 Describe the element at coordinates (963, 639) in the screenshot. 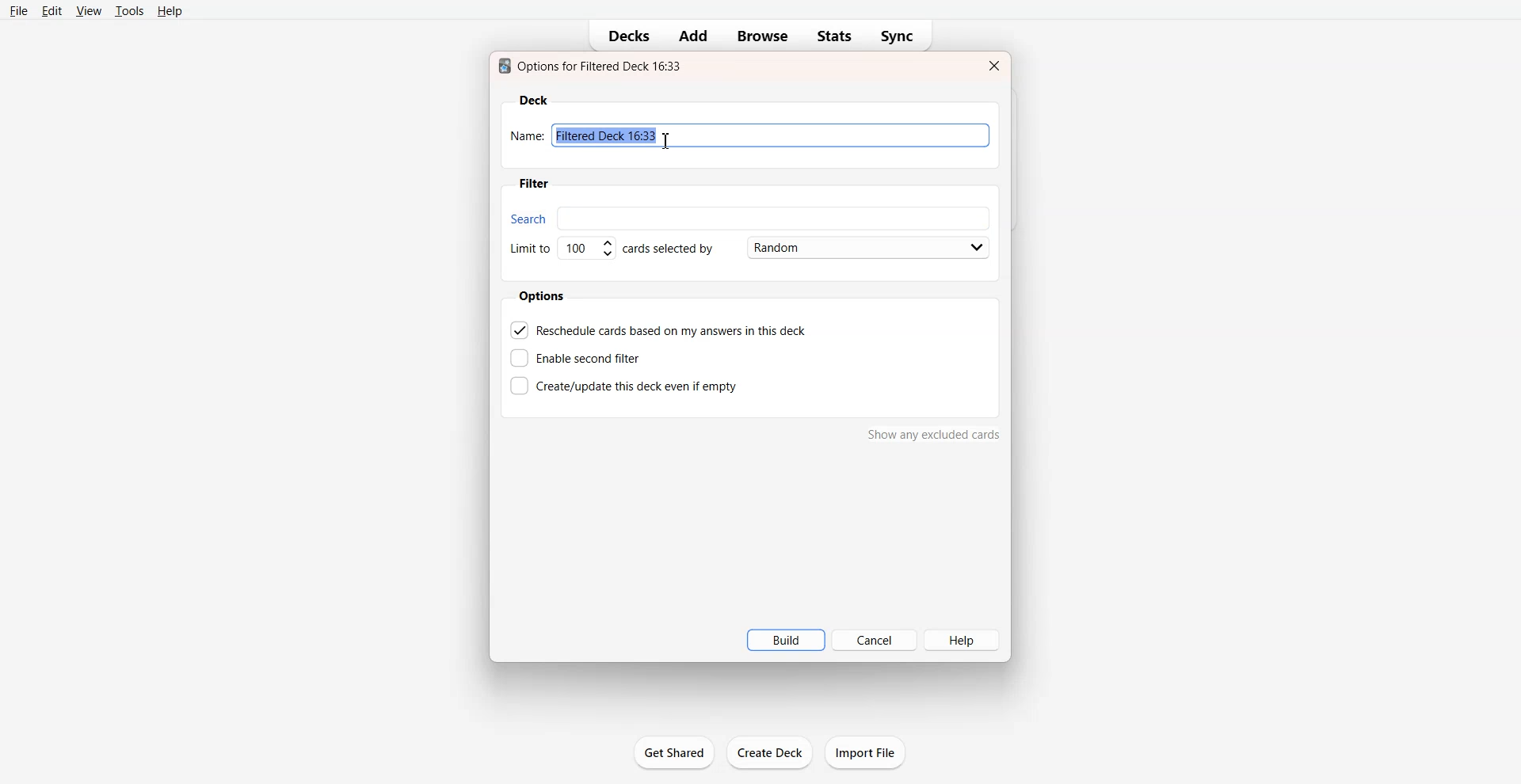

I see `Help` at that location.